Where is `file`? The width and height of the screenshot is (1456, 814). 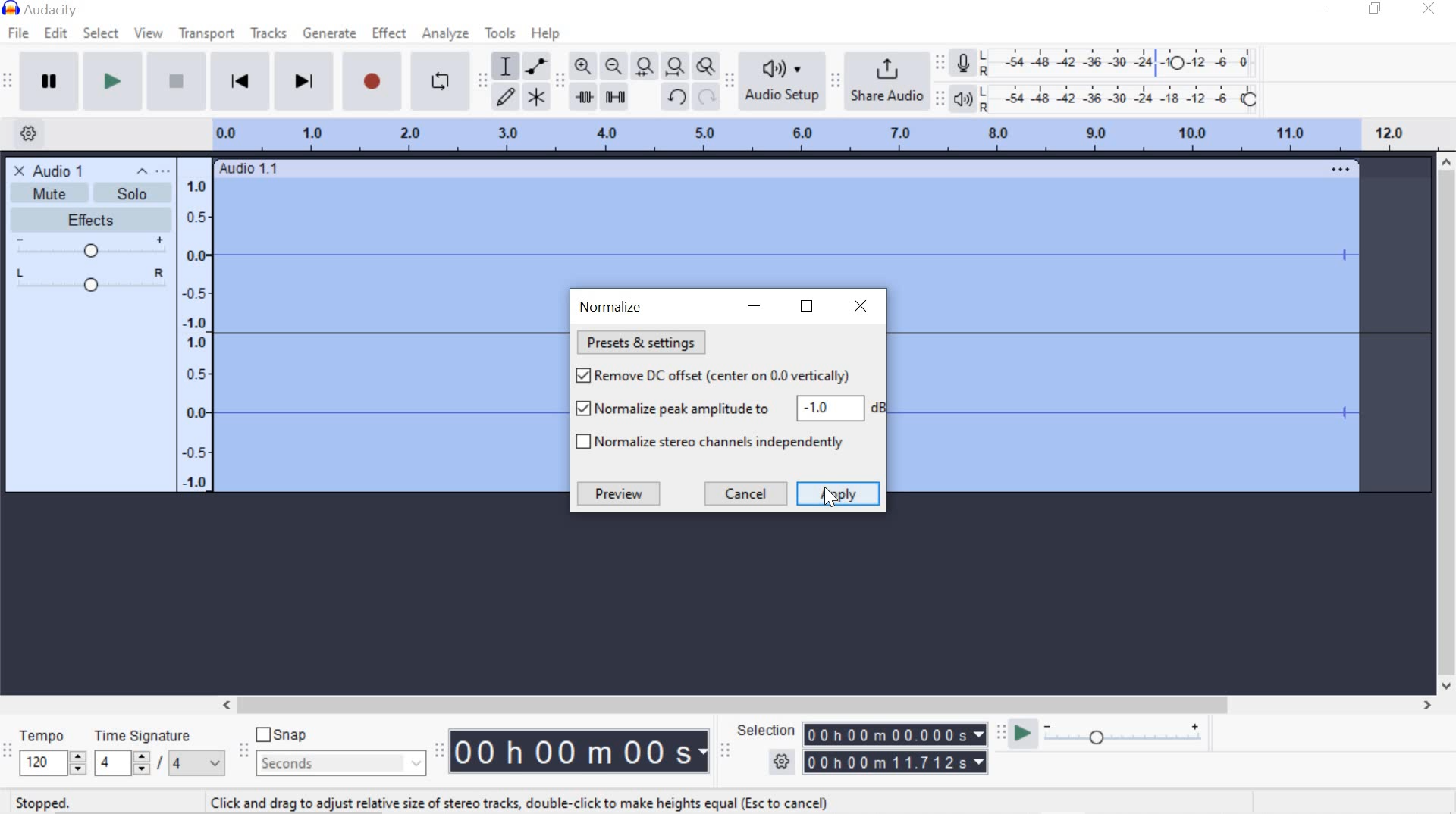
file is located at coordinates (21, 33).